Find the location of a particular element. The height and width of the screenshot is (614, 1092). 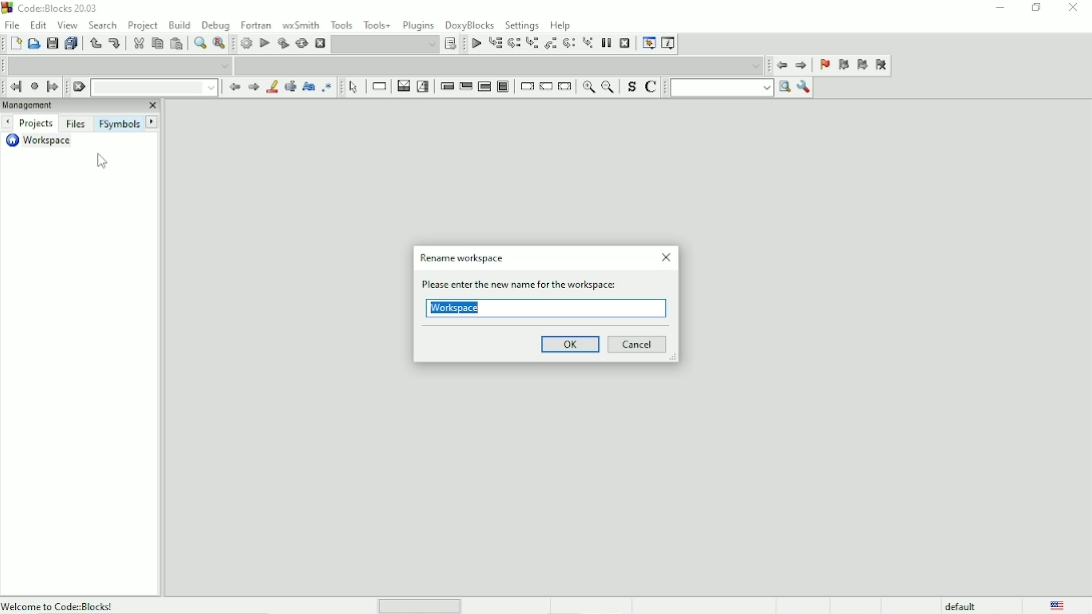

Code::Blocks 20.03 is located at coordinates (51, 8).